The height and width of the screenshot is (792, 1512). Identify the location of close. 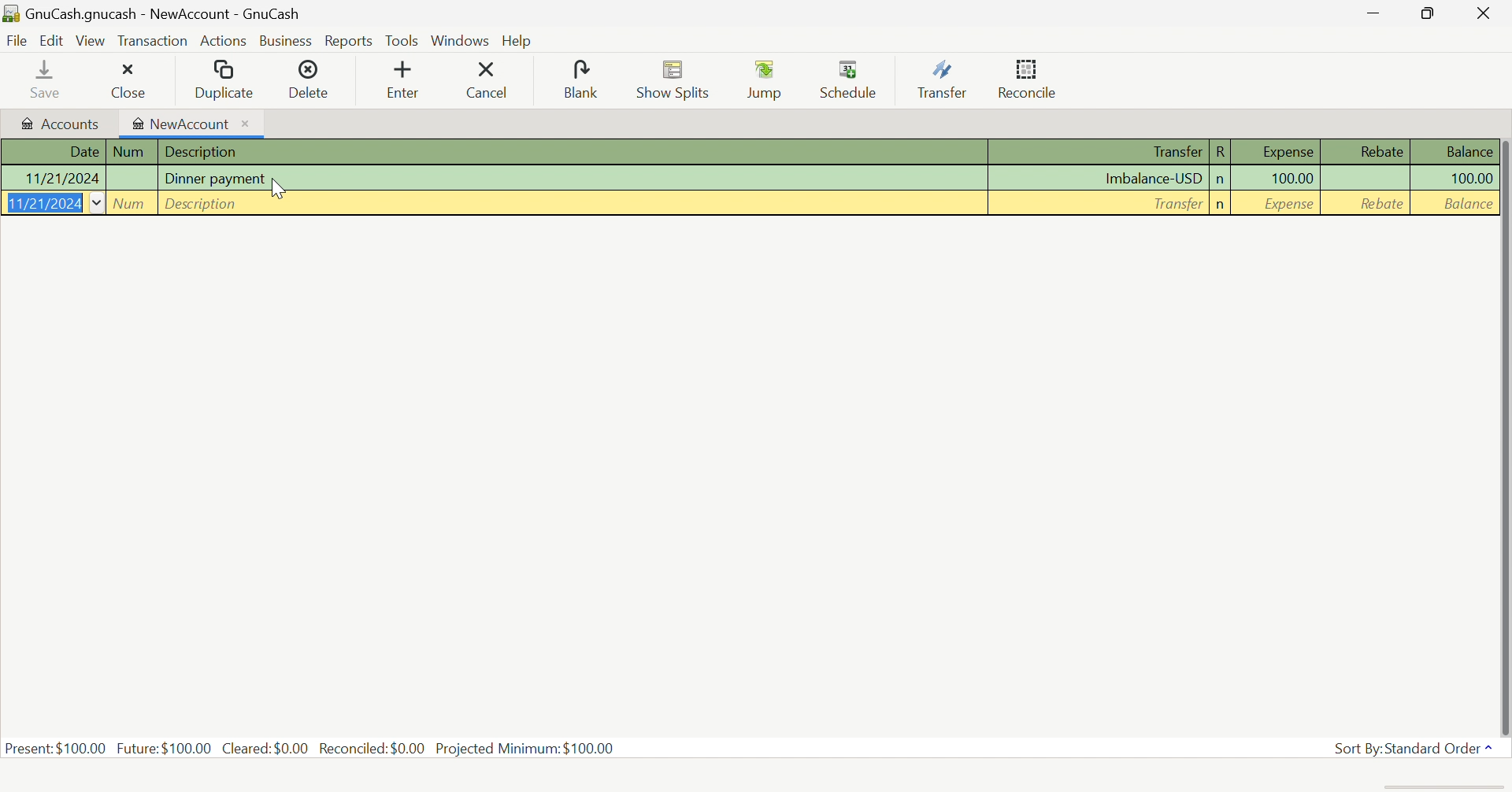
(130, 81).